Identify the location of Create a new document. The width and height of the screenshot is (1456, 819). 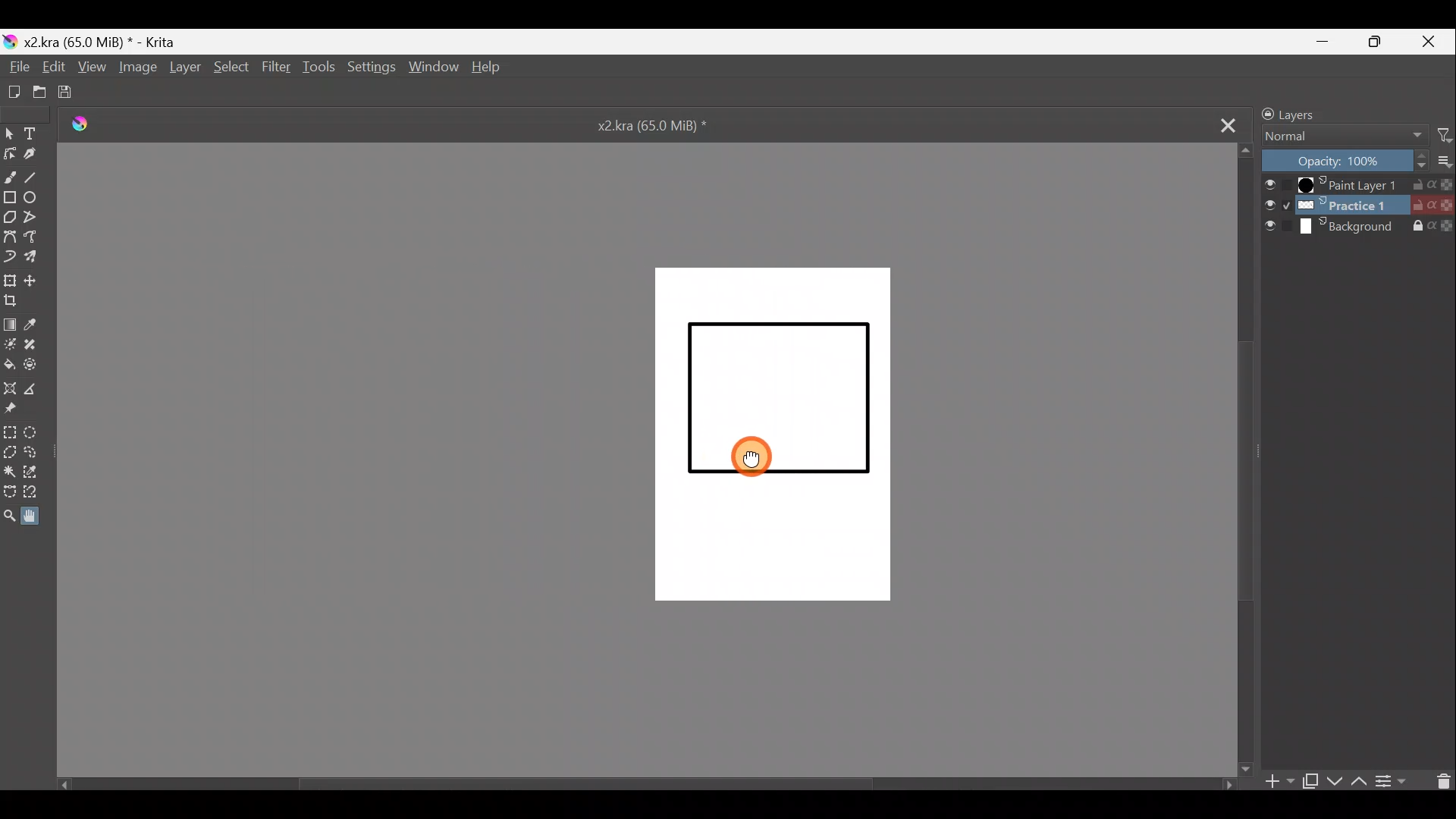
(13, 92).